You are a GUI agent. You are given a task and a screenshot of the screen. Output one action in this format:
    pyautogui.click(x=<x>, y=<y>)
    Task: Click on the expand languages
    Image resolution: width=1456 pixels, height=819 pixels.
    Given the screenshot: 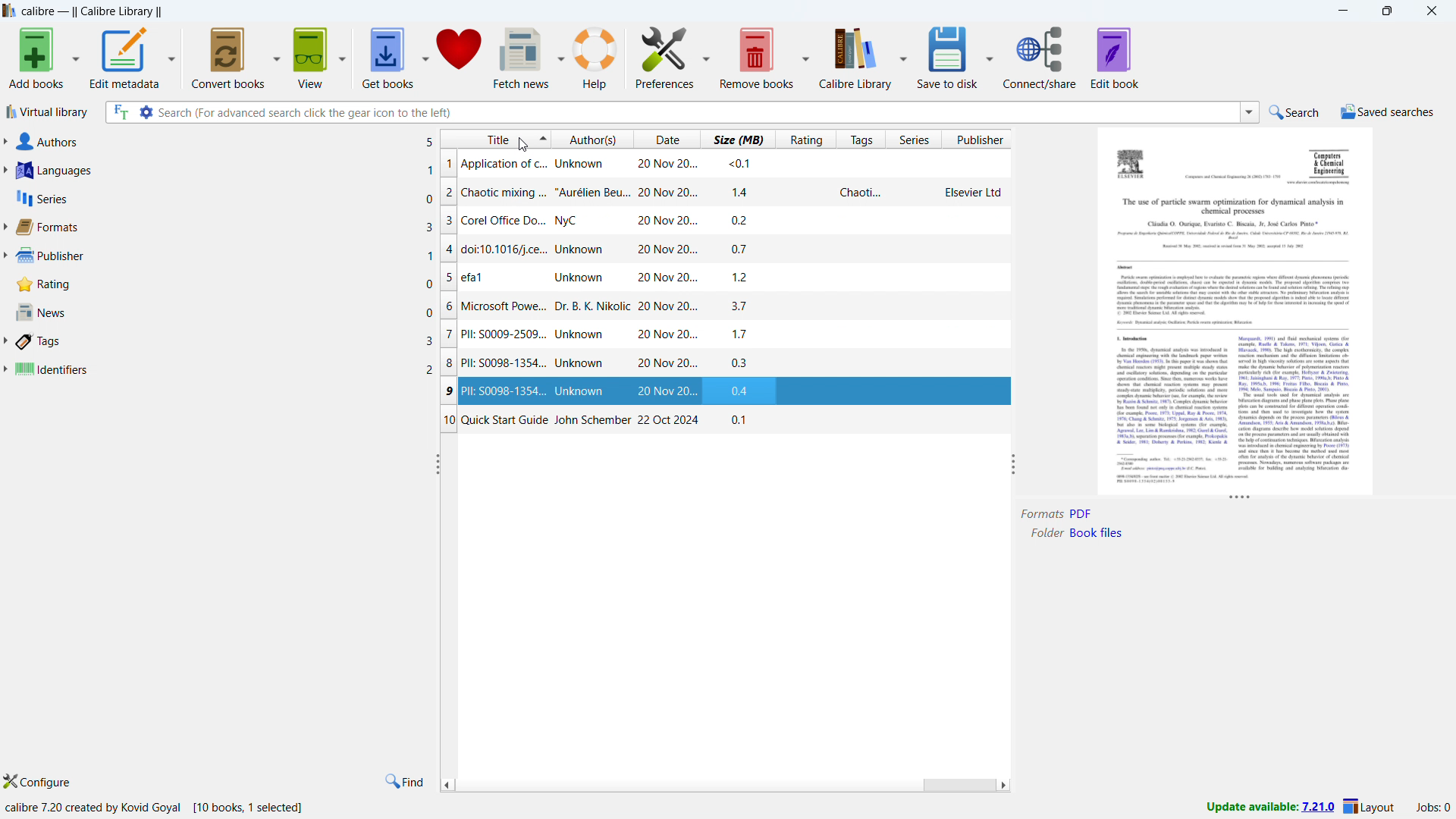 What is the action you would take?
    pyautogui.click(x=5, y=171)
    